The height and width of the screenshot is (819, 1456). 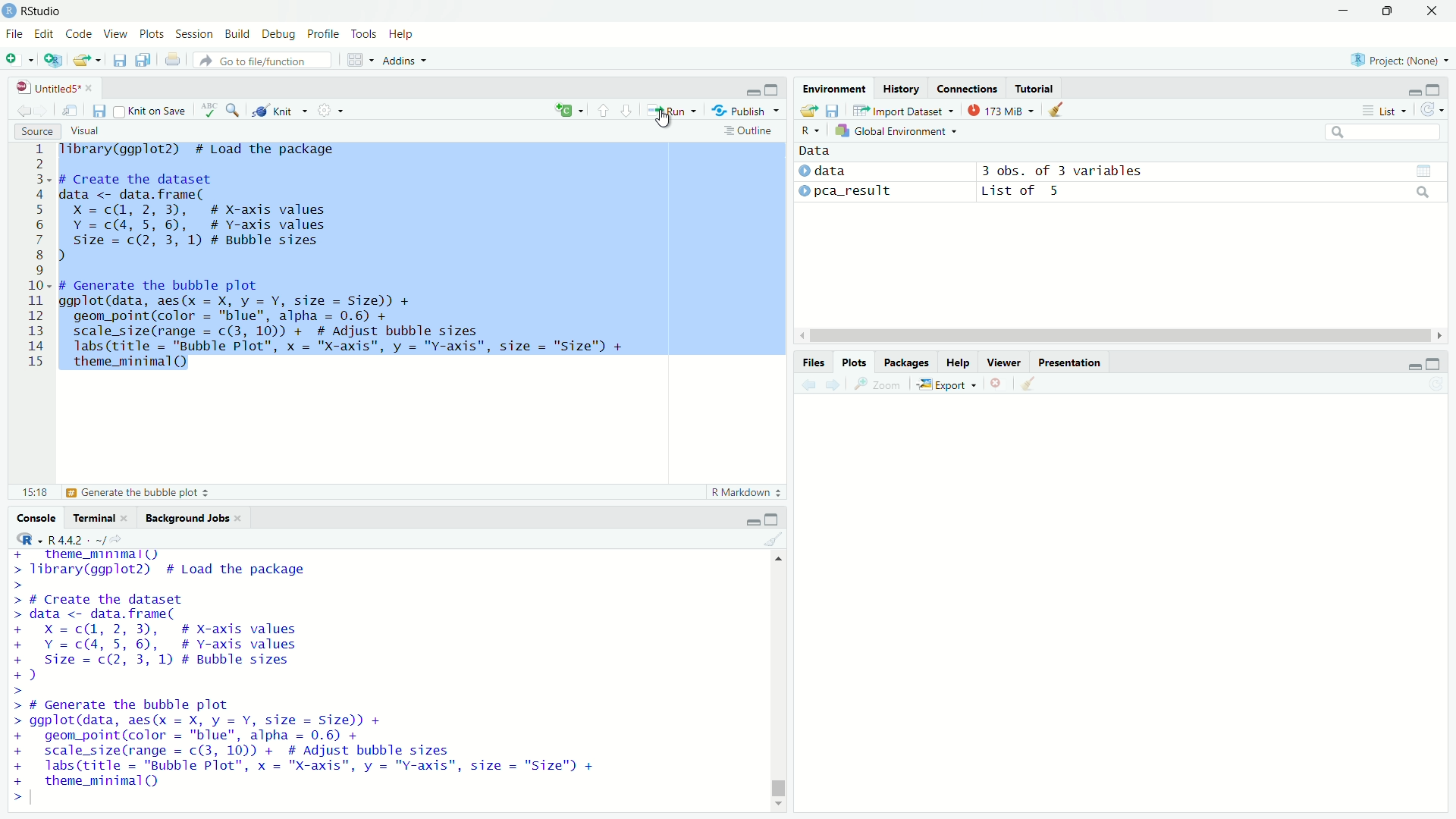 I want to click on outline, so click(x=749, y=130).